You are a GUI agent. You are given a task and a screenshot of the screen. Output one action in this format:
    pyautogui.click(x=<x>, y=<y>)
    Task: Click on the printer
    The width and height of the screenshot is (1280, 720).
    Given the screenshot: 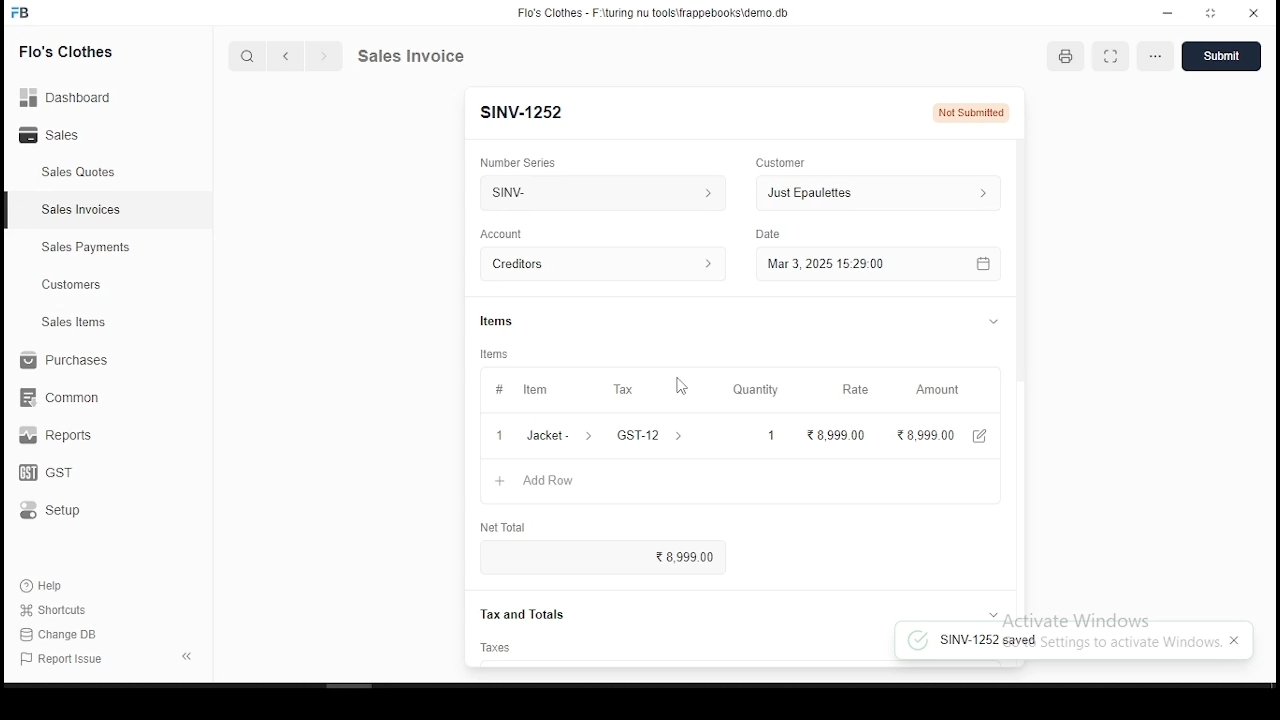 What is the action you would take?
    pyautogui.click(x=1072, y=59)
    